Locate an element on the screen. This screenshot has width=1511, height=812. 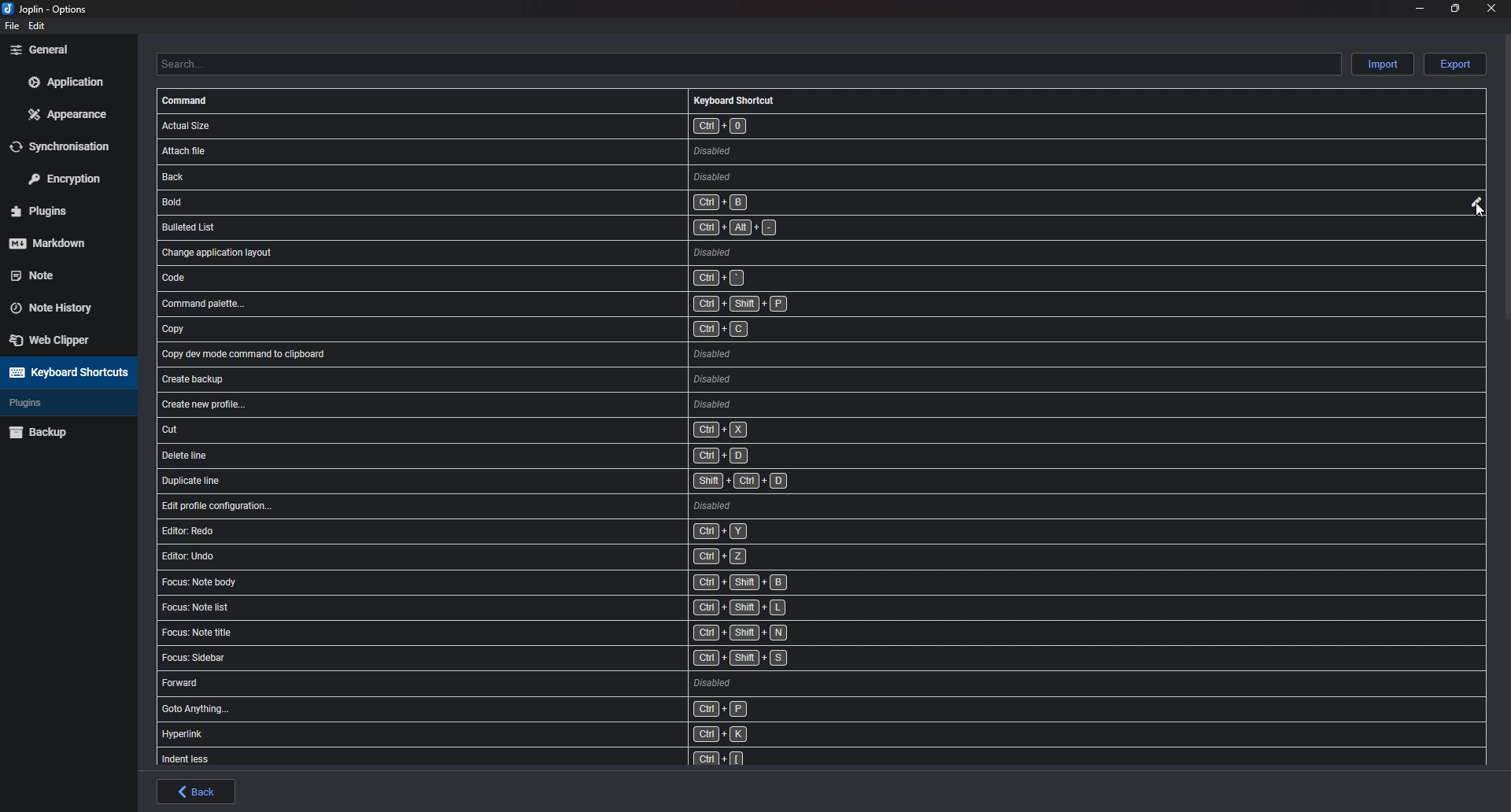
back is located at coordinates (197, 792).